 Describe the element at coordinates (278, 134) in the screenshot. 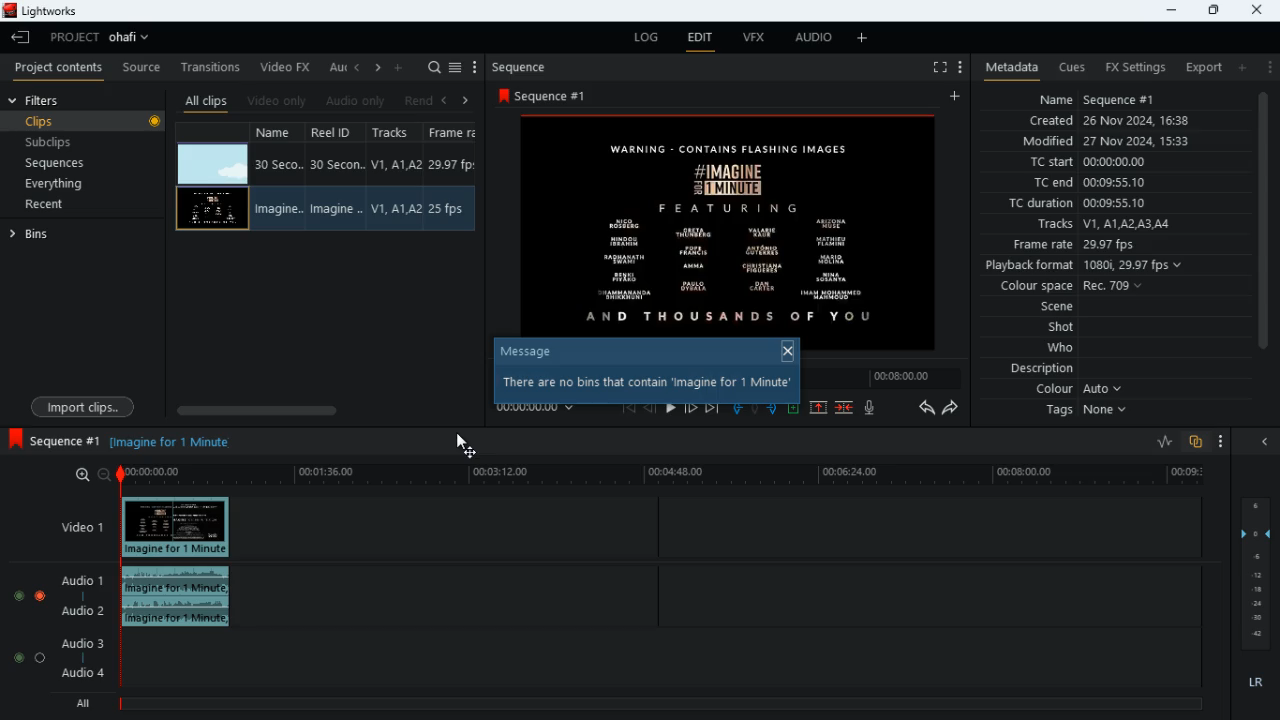

I see `name` at that location.